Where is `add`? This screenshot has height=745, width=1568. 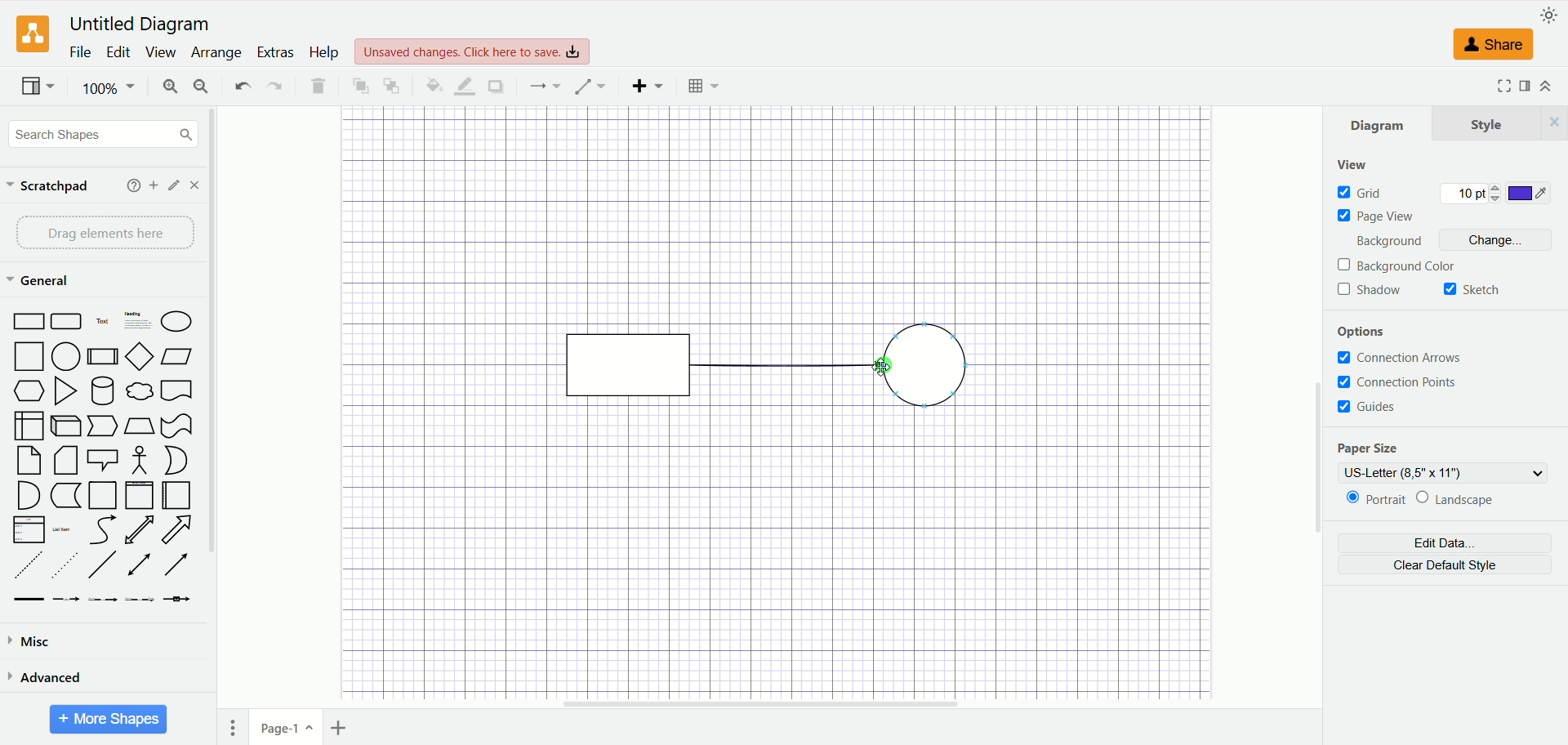
add is located at coordinates (152, 185).